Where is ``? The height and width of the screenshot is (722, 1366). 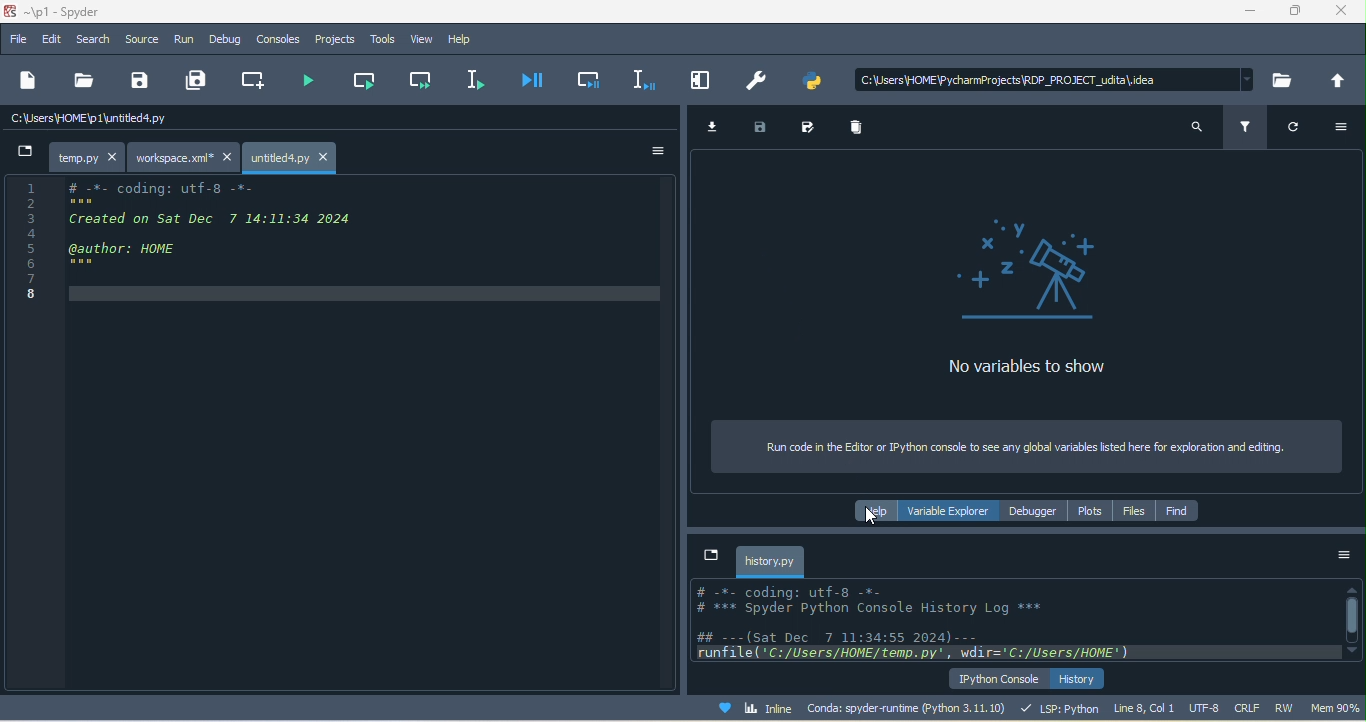  is located at coordinates (761, 129).